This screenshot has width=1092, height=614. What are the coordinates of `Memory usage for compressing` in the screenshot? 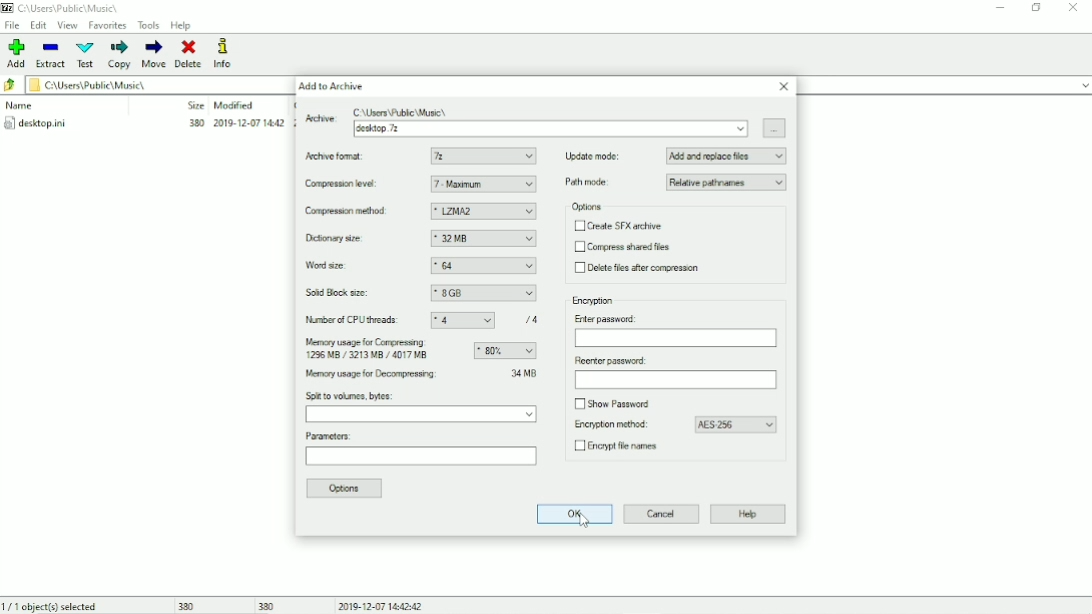 It's located at (505, 351).